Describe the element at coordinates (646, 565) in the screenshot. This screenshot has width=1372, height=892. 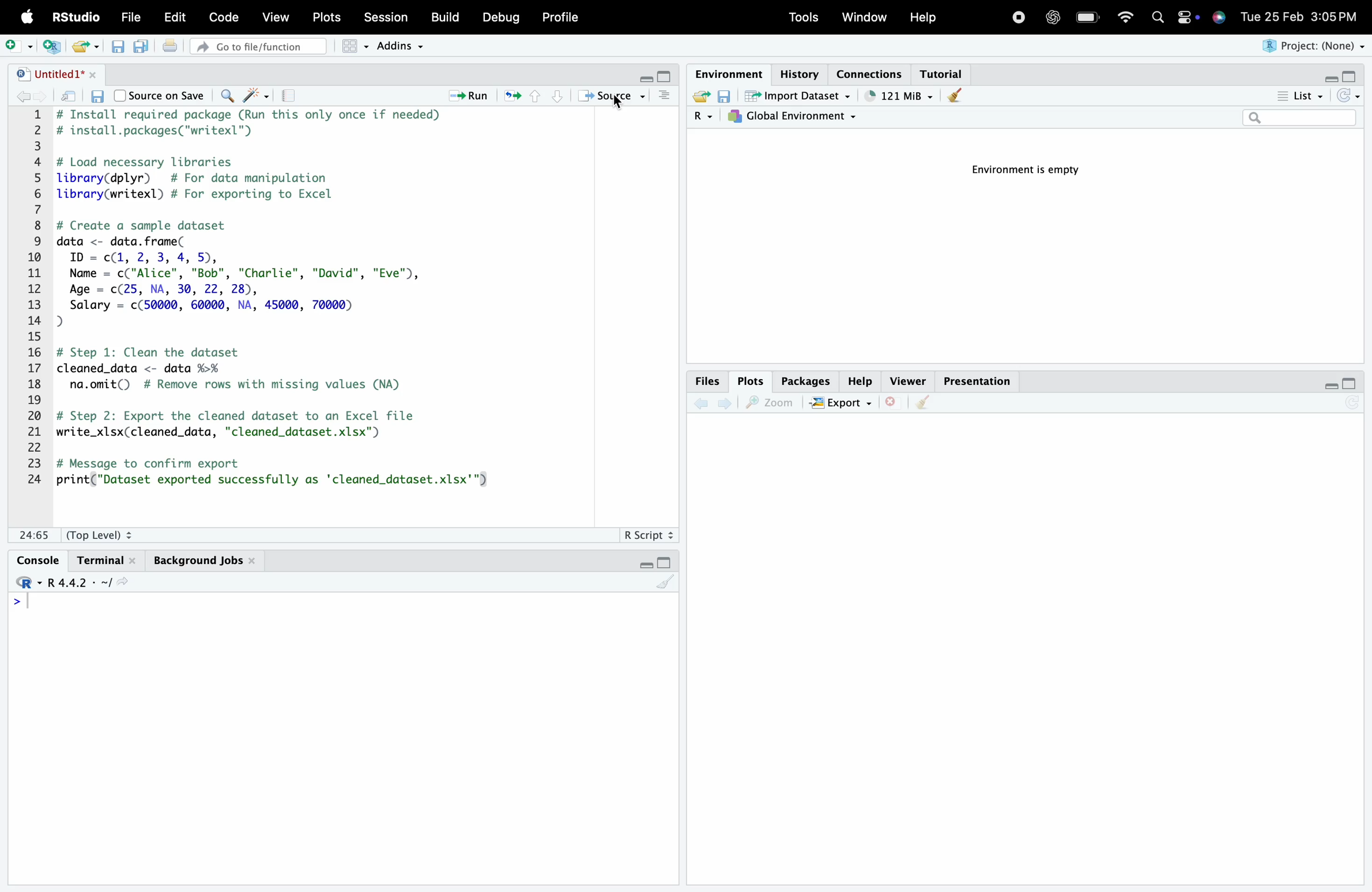
I see `Minimize` at that location.